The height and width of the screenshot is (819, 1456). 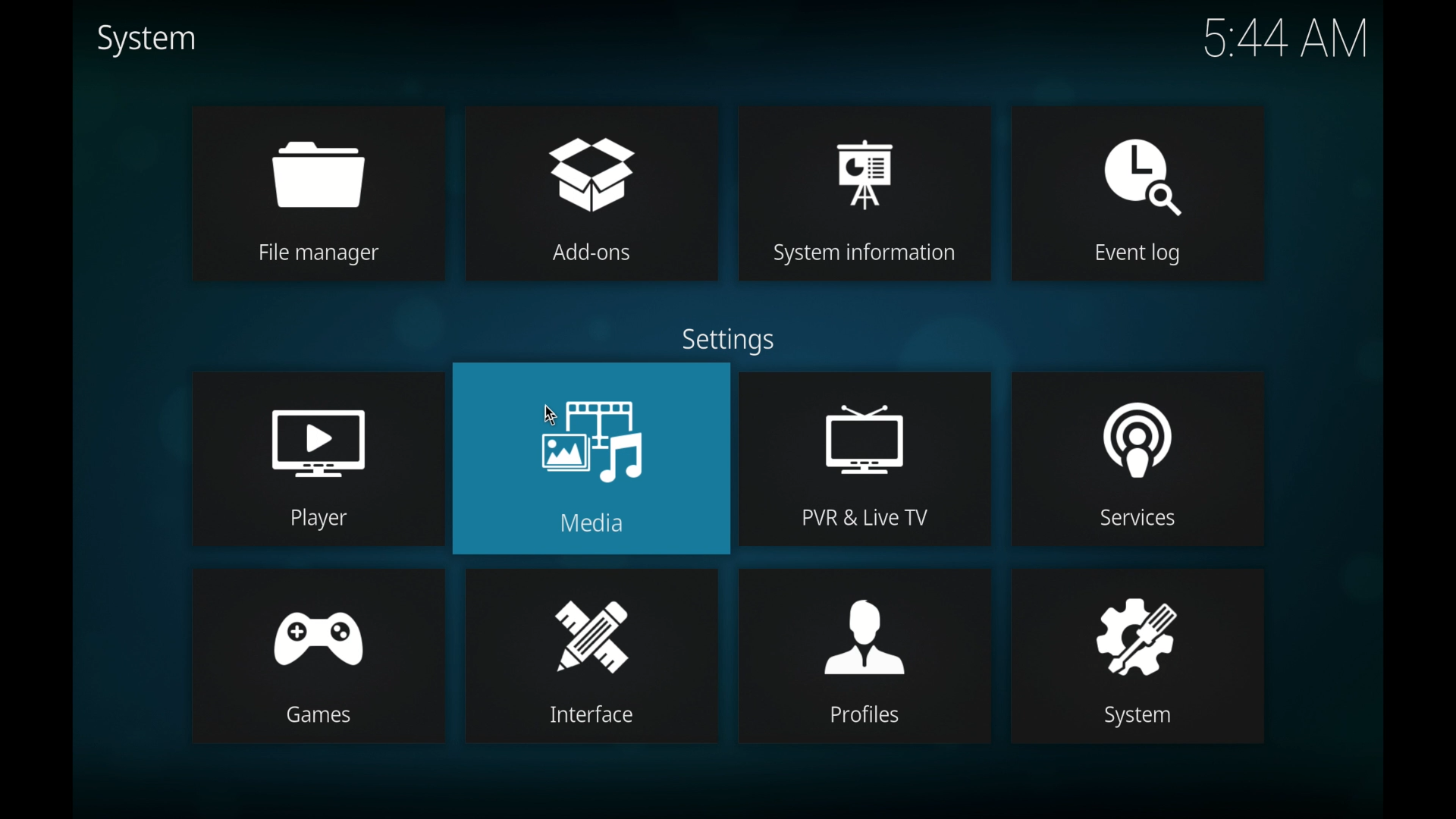 I want to click on player, so click(x=315, y=460).